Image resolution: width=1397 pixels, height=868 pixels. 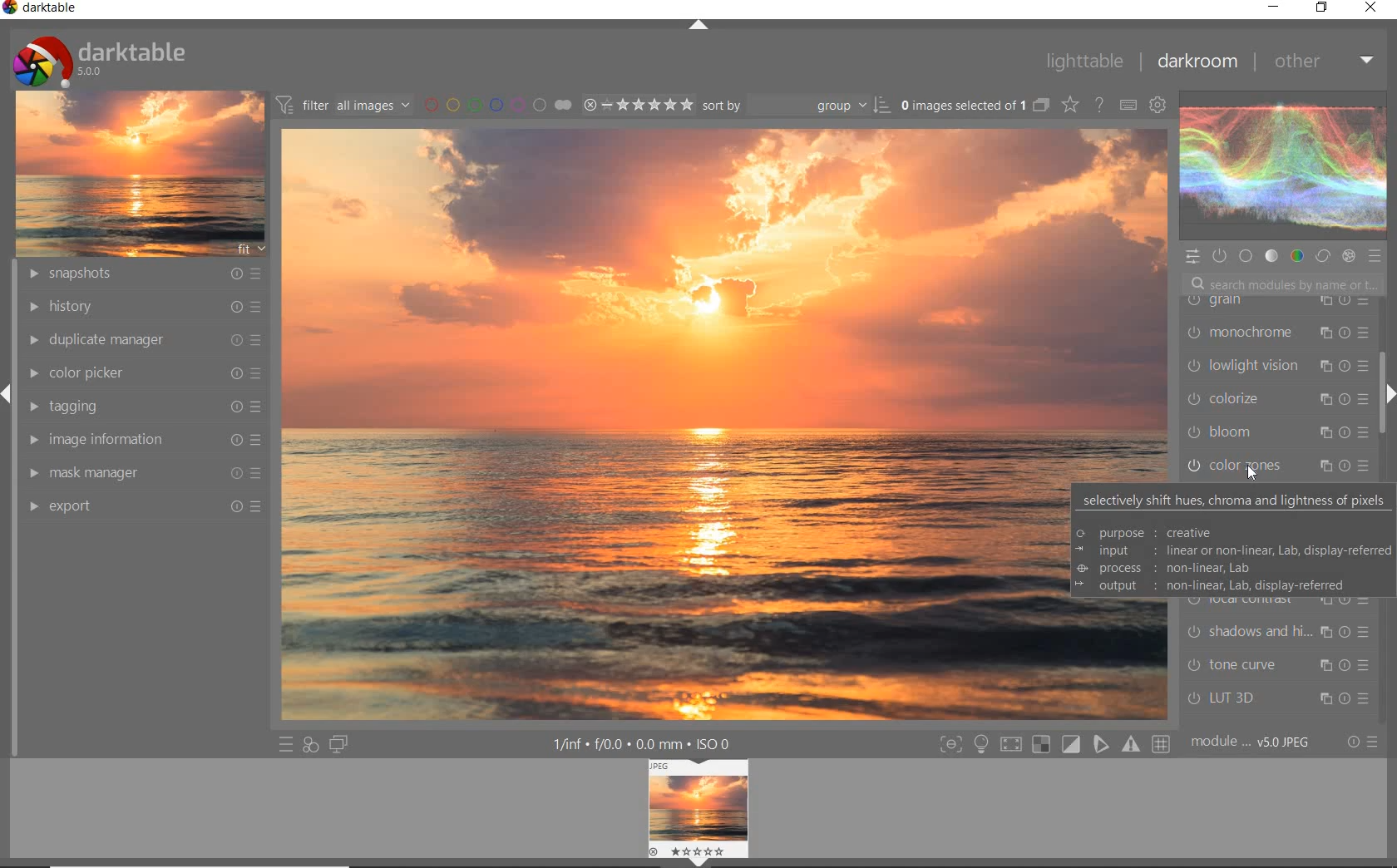 What do you see at coordinates (1252, 742) in the screenshot?
I see `MODULE ORDER` at bounding box center [1252, 742].